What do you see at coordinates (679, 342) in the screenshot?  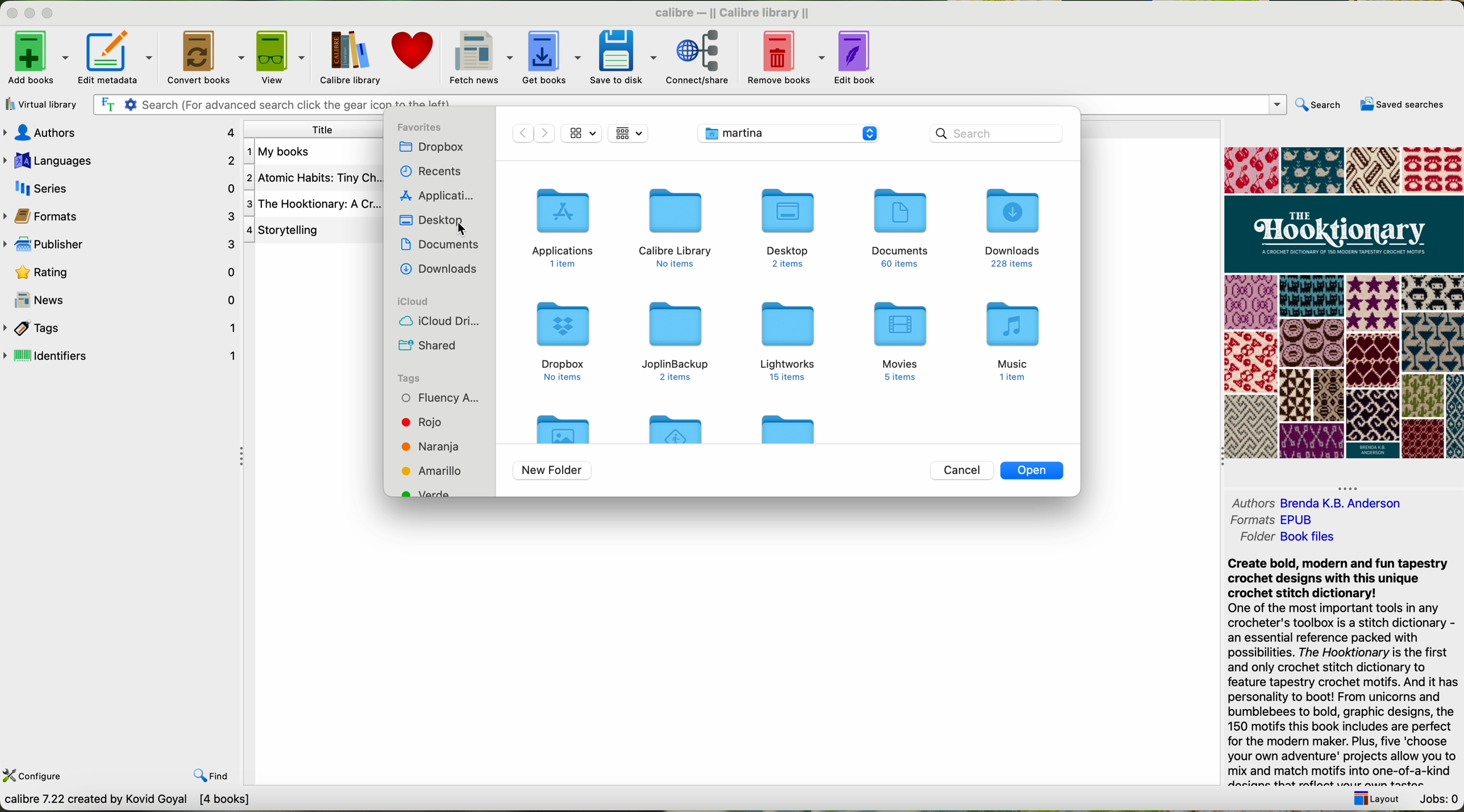 I see `joplinbackup folder` at bounding box center [679, 342].